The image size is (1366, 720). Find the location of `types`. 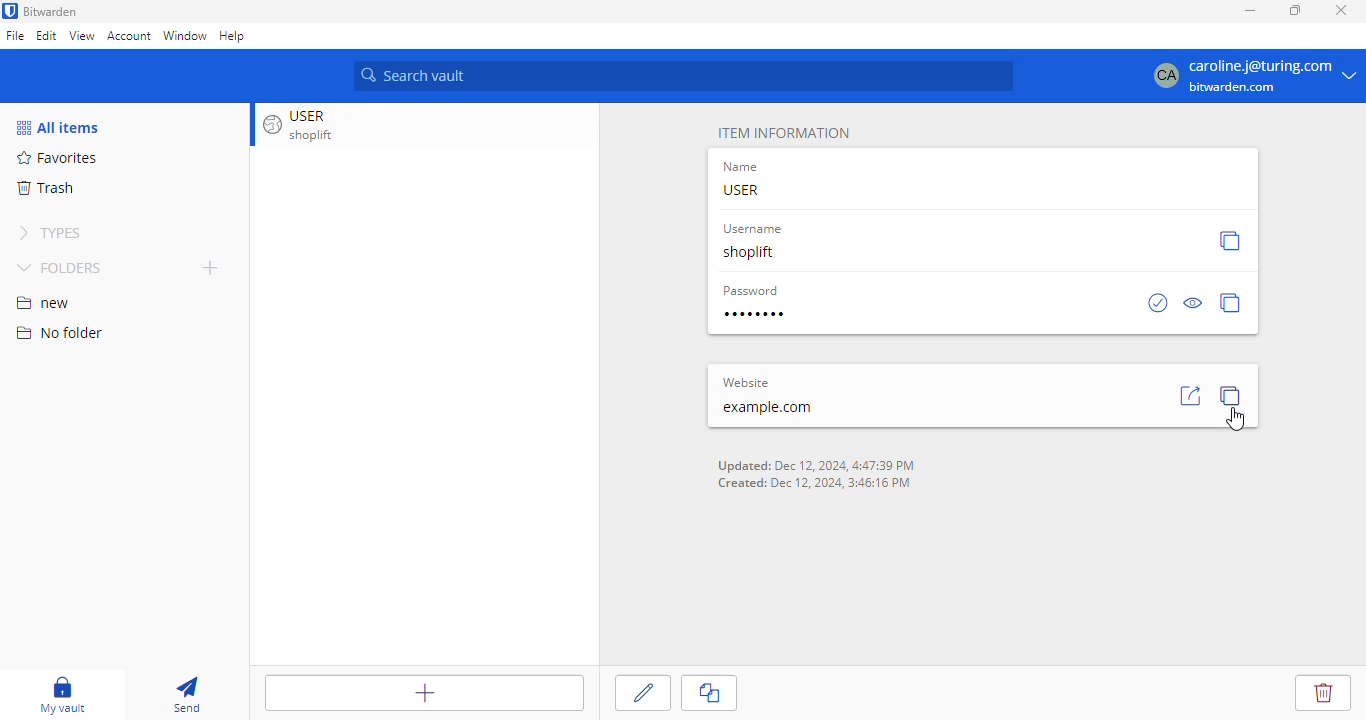

types is located at coordinates (50, 231).